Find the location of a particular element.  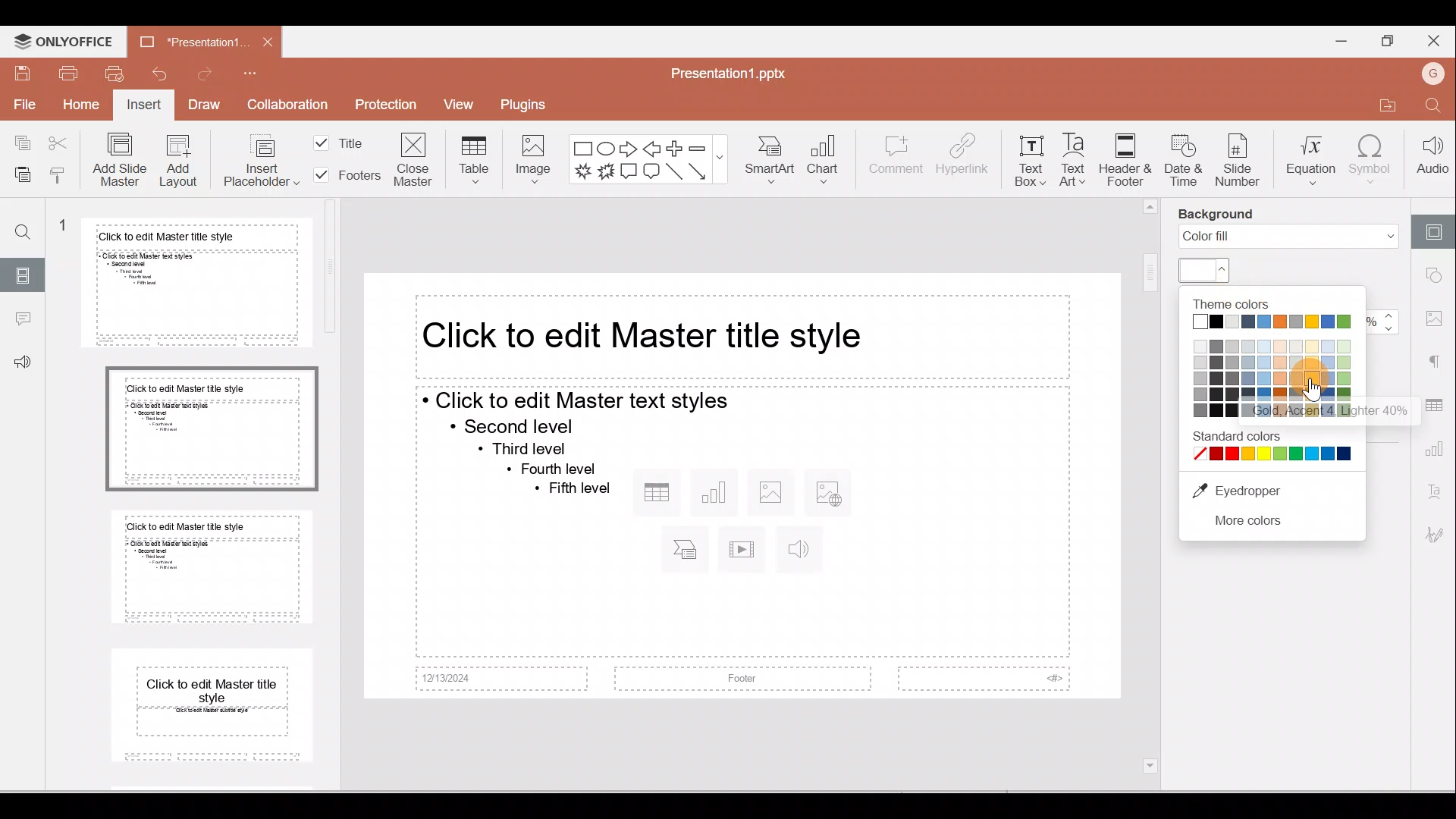

Find is located at coordinates (24, 227).